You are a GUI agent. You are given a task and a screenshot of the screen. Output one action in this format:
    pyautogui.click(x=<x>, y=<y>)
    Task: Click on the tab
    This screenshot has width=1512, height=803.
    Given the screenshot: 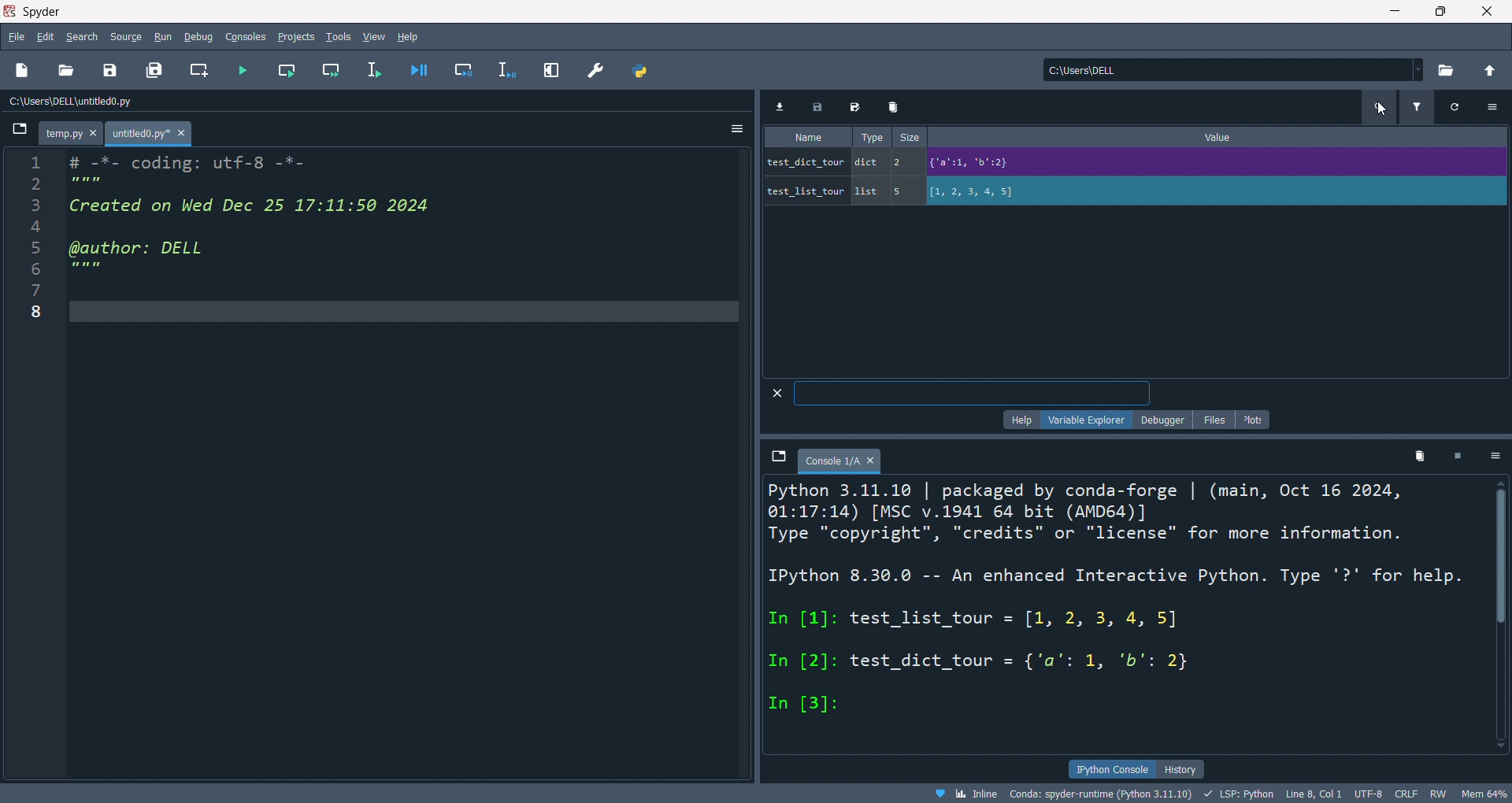 What is the action you would take?
    pyautogui.click(x=149, y=133)
    